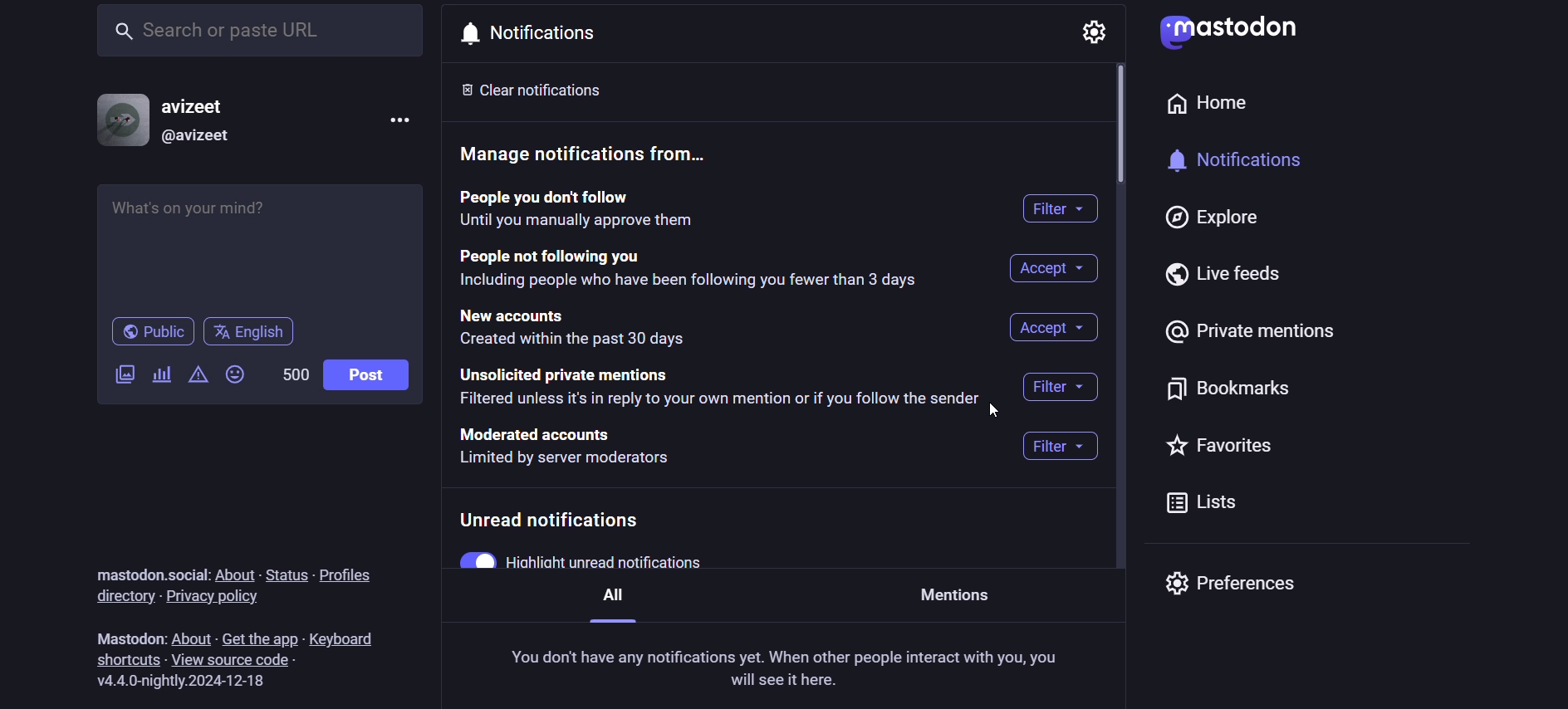 Image resolution: width=1568 pixels, height=709 pixels. I want to click on @avizeet, so click(200, 139).